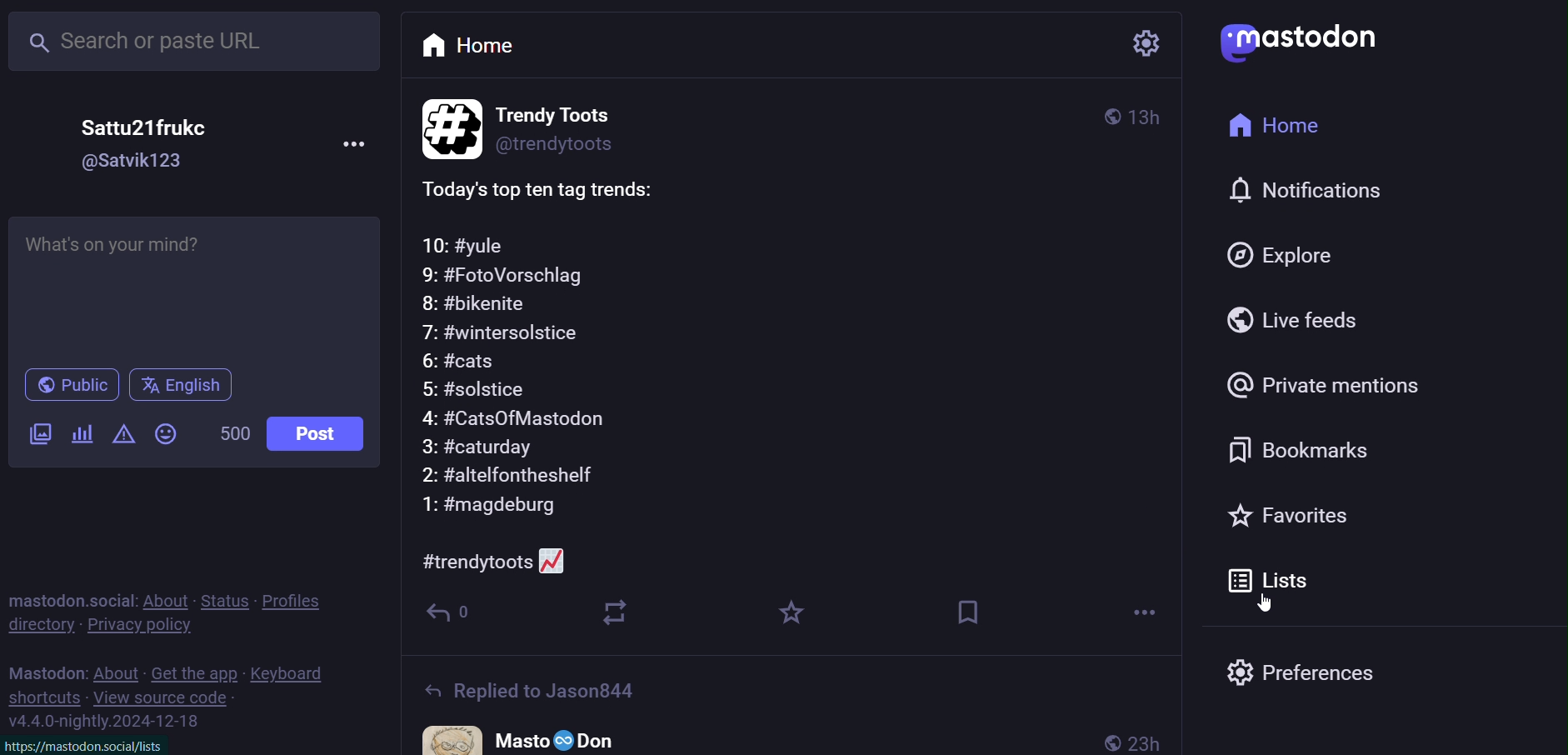 The width and height of the screenshot is (1568, 755). What do you see at coordinates (1317, 192) in the screenshot?
I see `notification` at bounding box center [1317, 192].